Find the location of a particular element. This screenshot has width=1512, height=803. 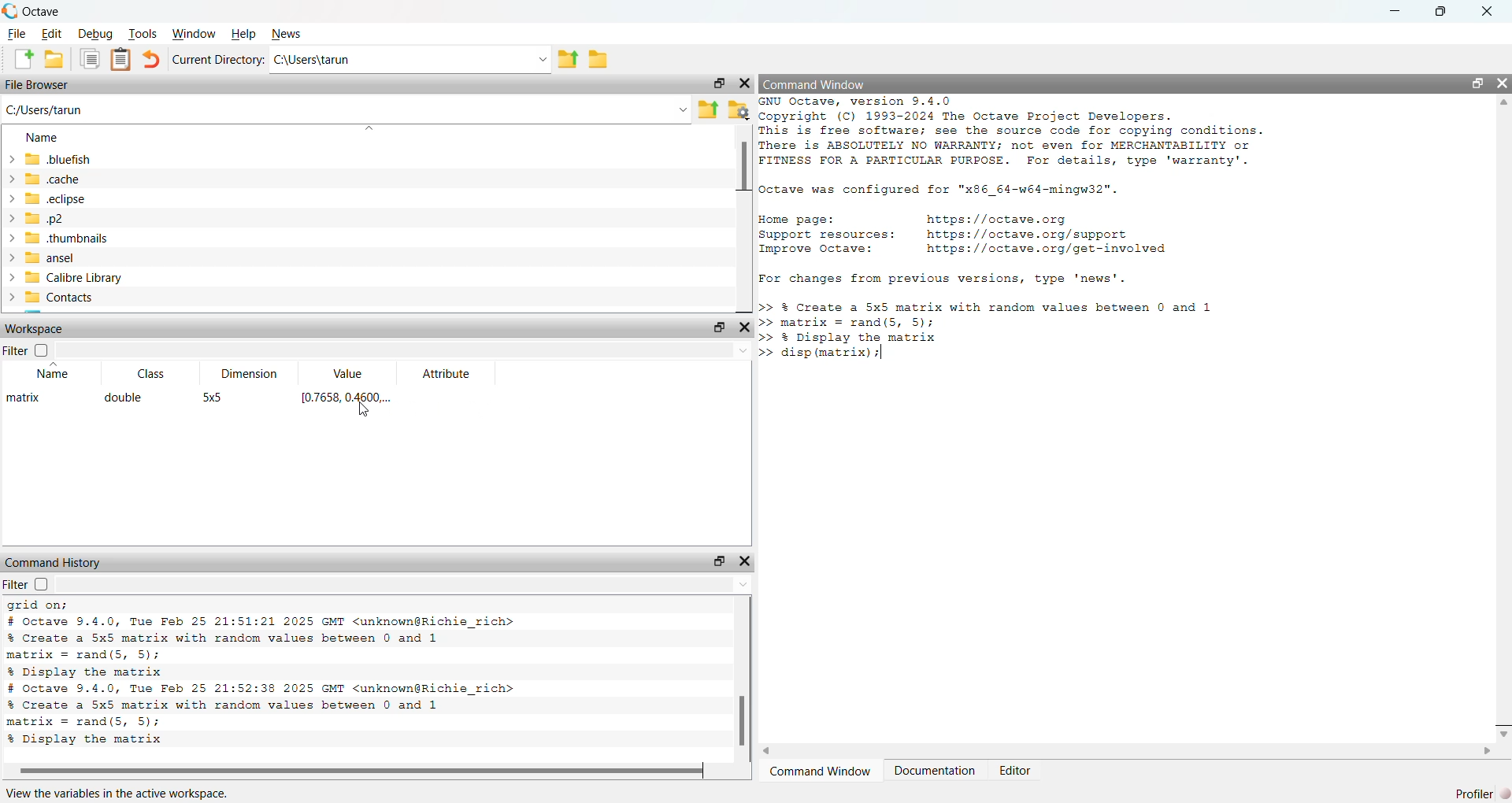

Debug is located at coordinates (96, 35).